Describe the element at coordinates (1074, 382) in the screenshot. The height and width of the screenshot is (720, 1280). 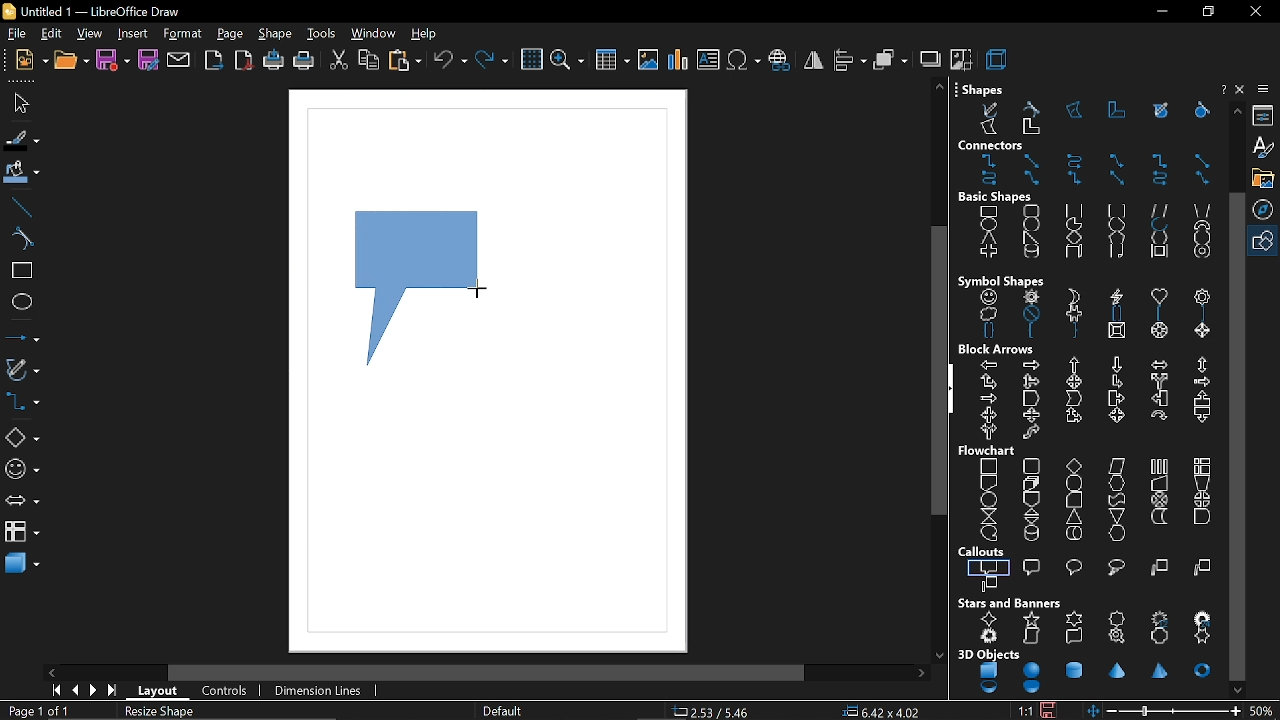
I see `4 way arrow` at that location.